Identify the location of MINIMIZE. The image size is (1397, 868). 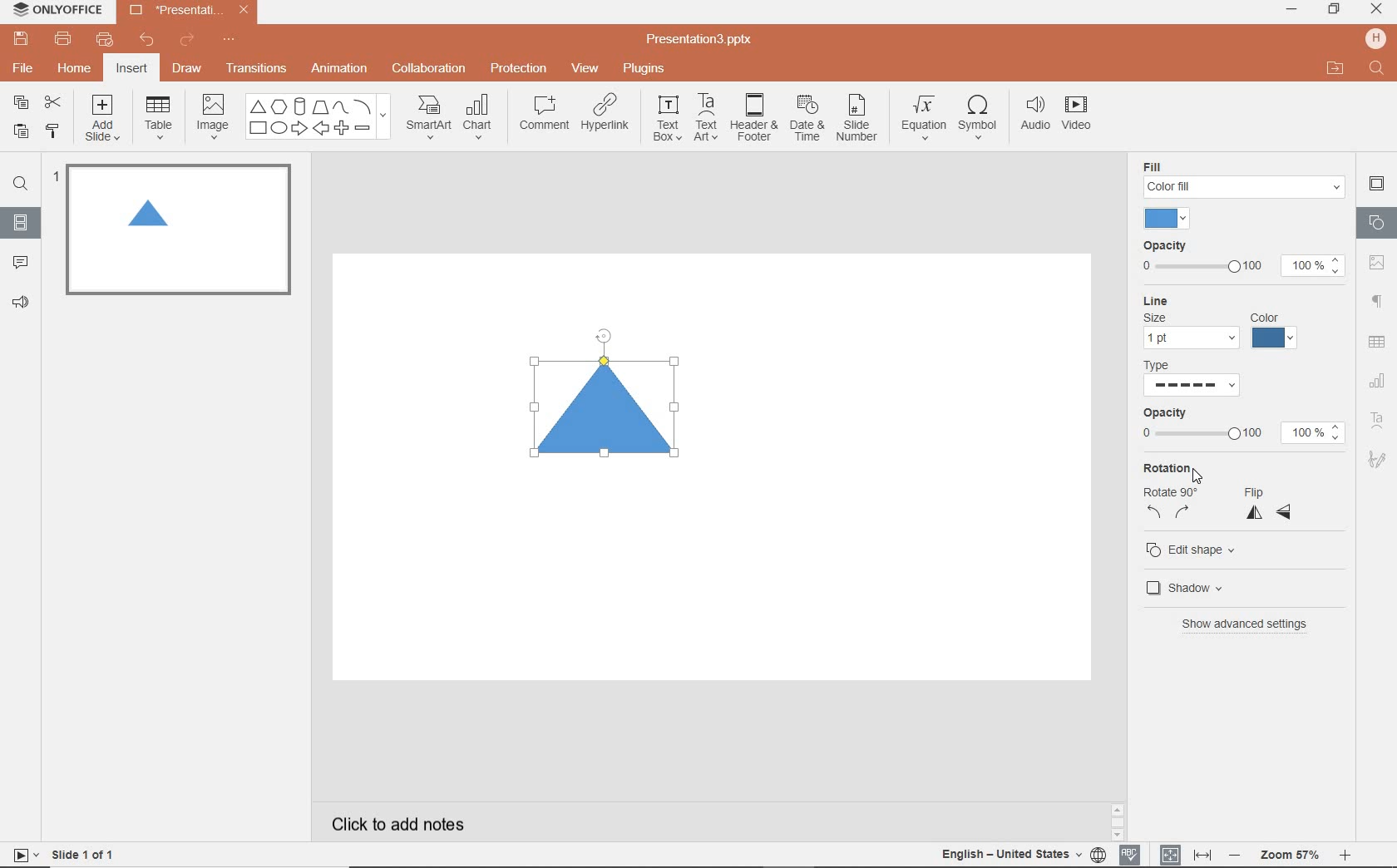
(1291, 10).